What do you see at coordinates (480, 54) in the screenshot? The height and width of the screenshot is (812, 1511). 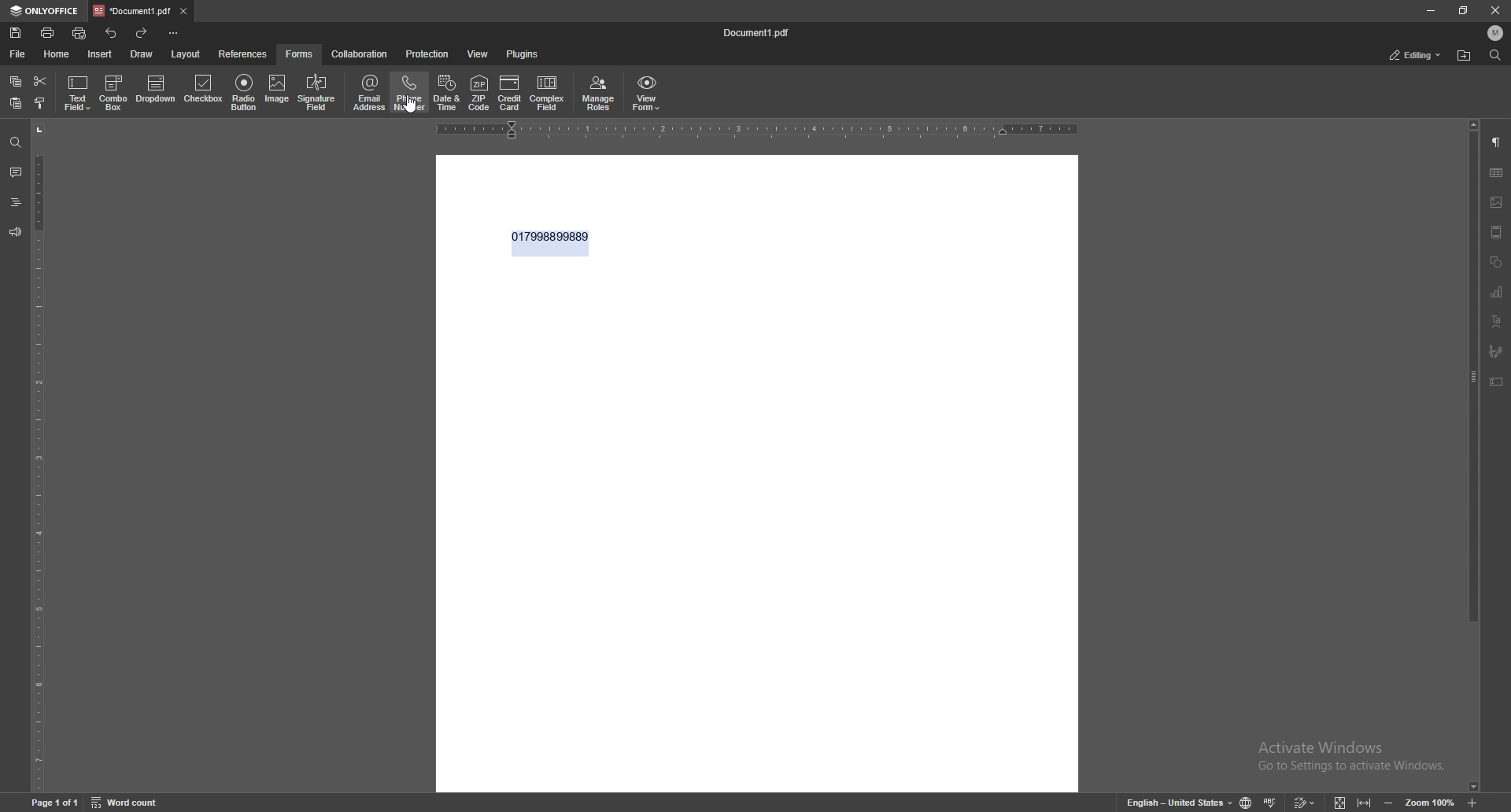 I see `view` at bounding box center [480, 54].